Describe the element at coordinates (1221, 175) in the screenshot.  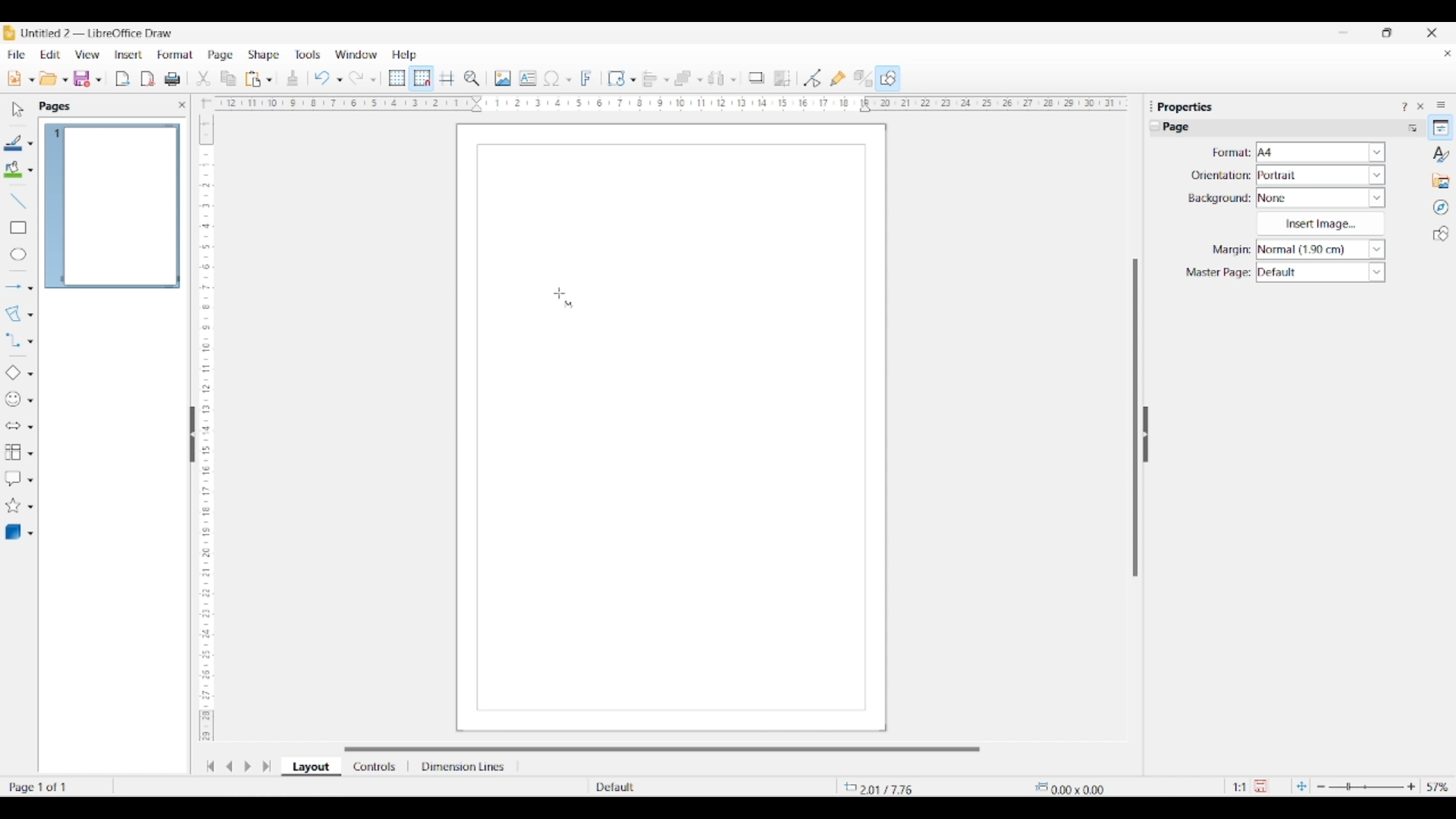
I see `Indicates orientation settings` at that location.